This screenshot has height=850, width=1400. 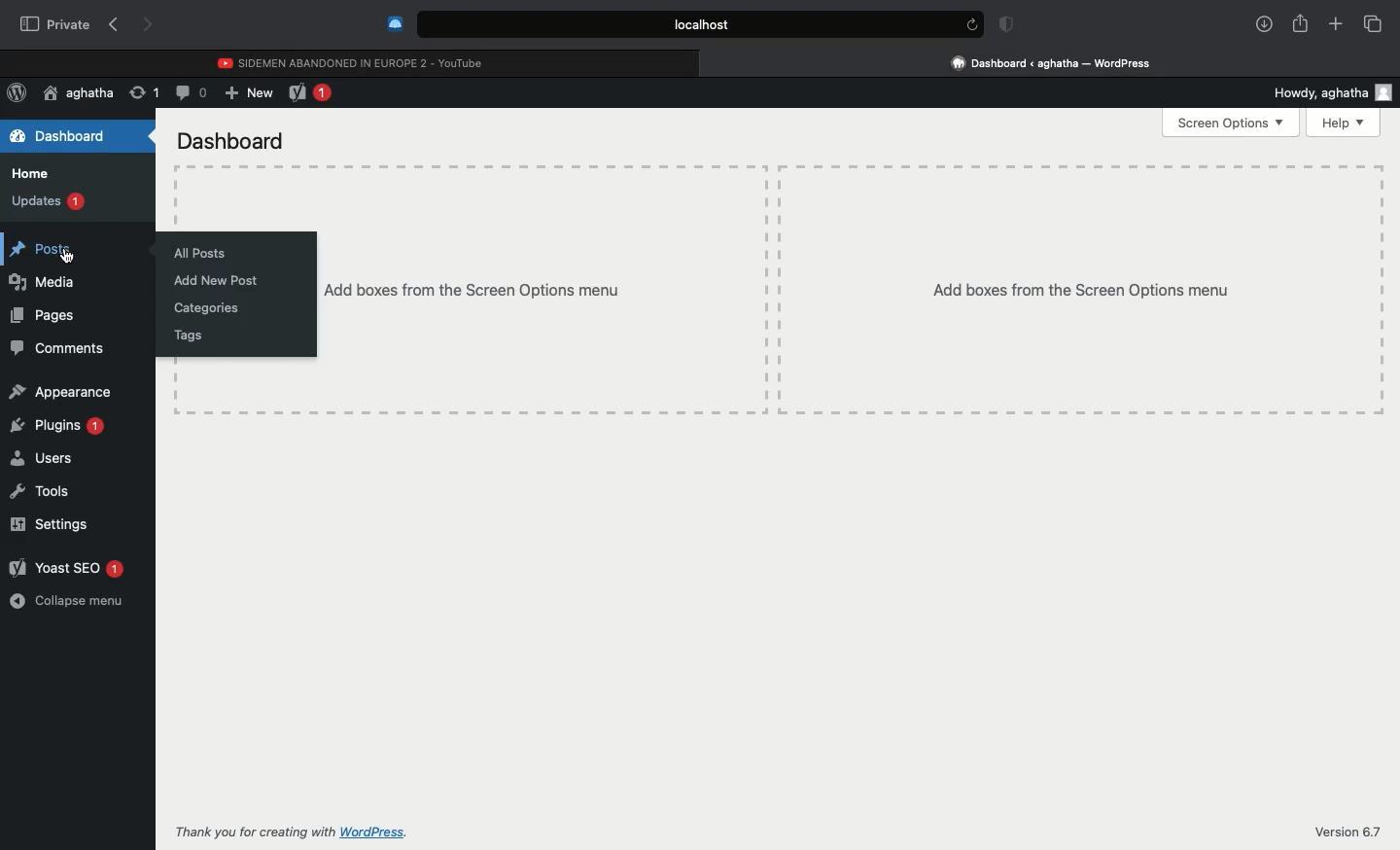 I want to click on Users, so click(x=40, y=458).